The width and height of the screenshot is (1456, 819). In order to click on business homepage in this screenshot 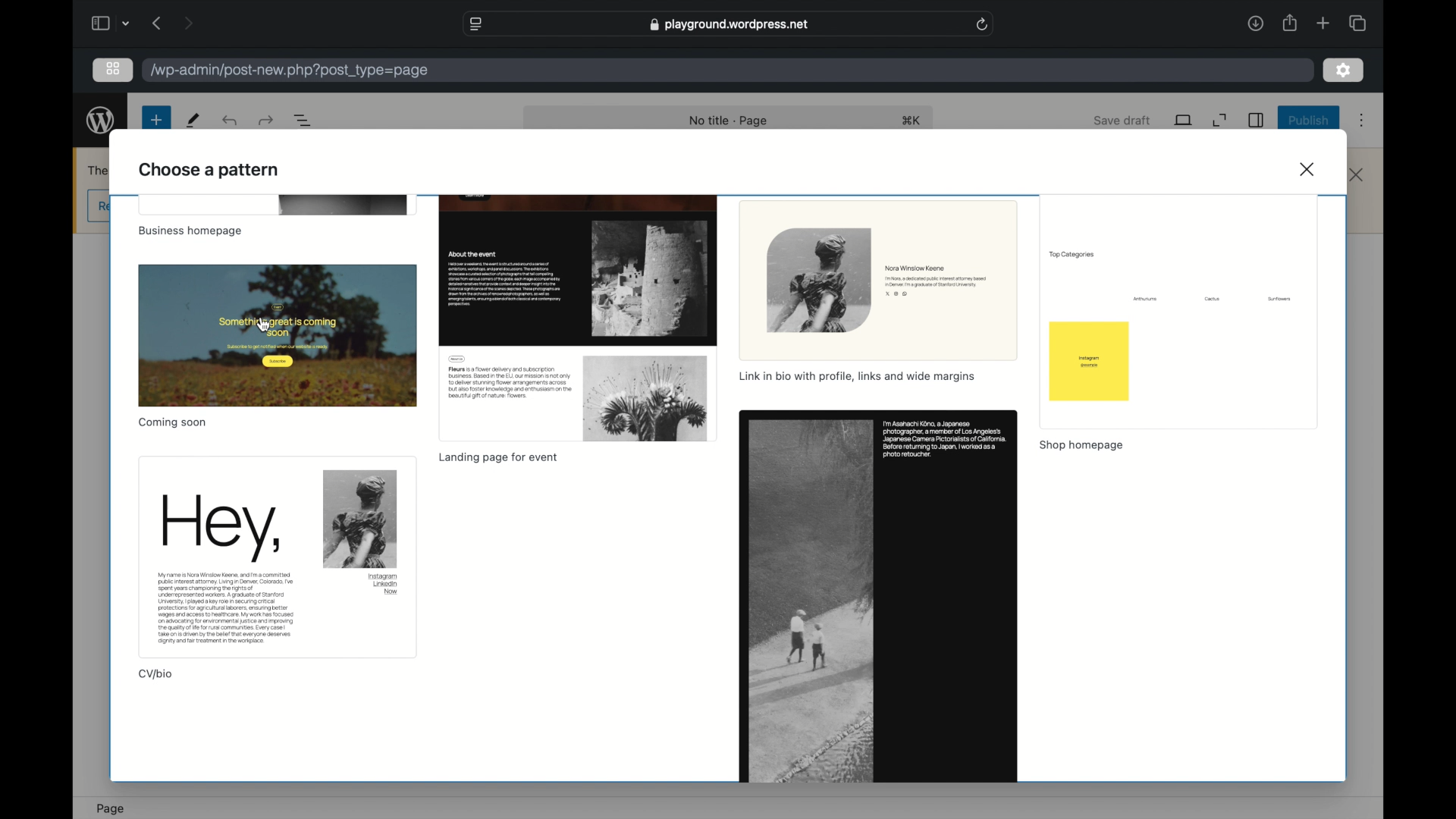, I will do `click(192, 232)`.